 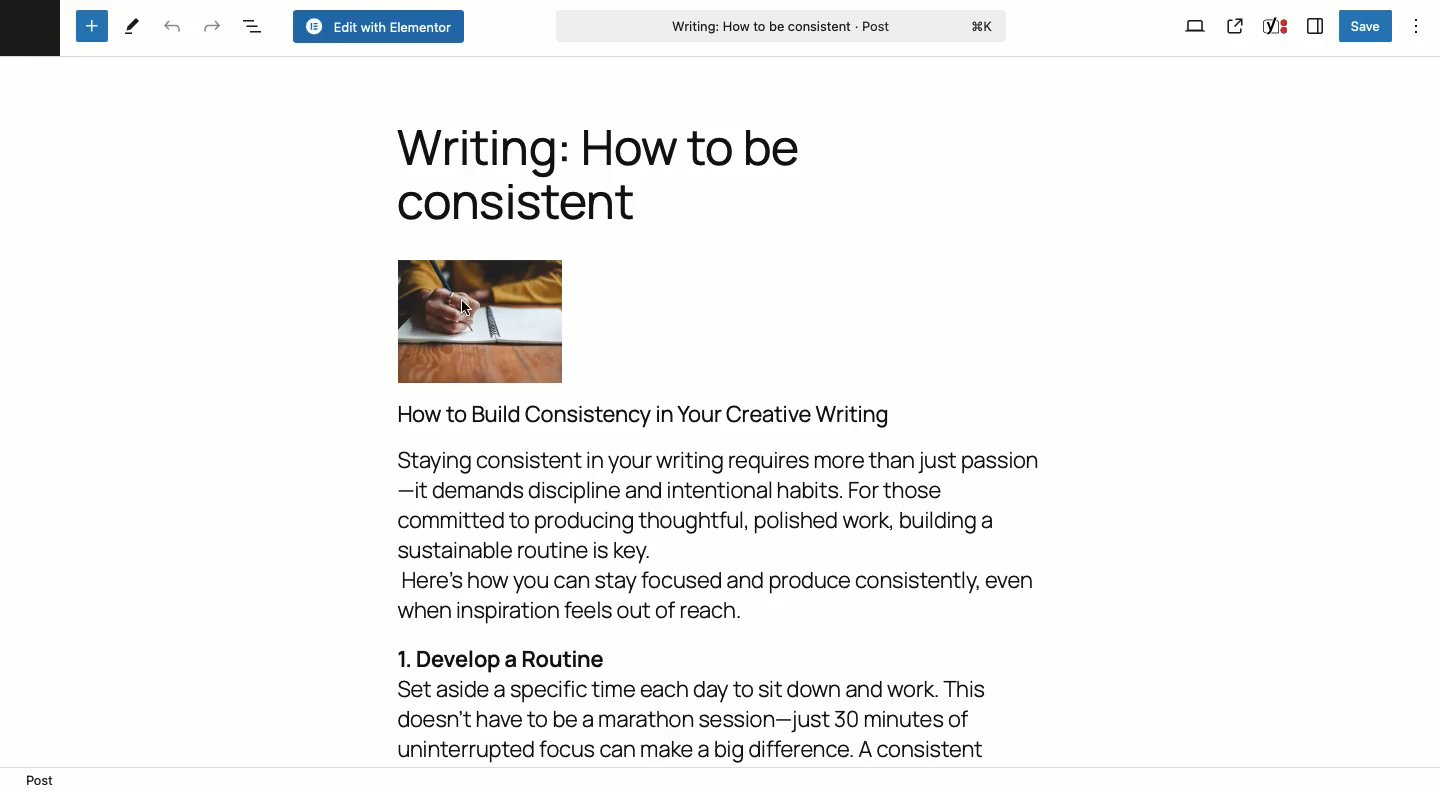 What do you see at coordinates (784, 27) in the screenshot?
I see `Writing: How to be consistent - Post ` at bounding box center [784, 27].